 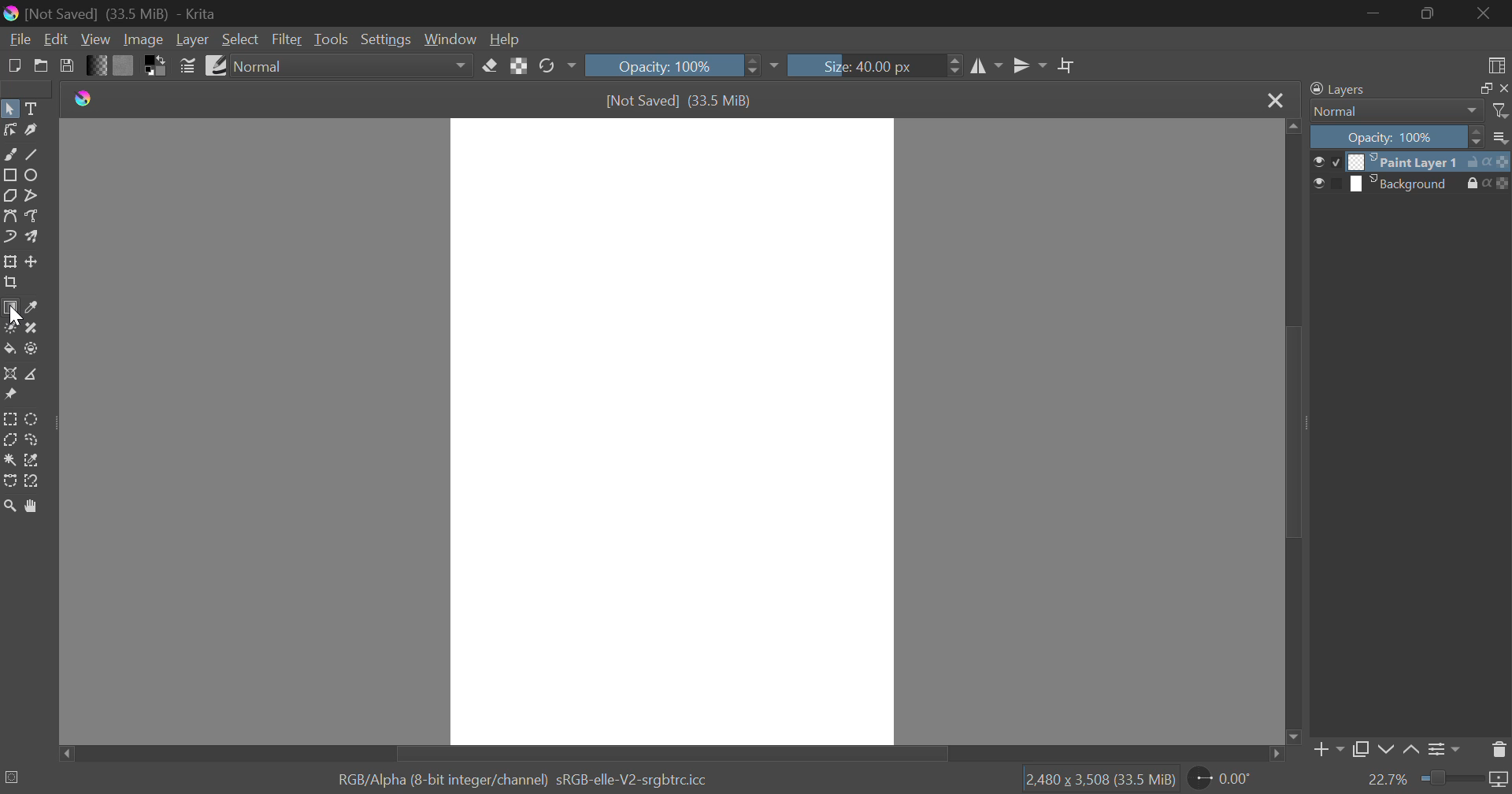 I want to click on Bezier Curve Selection, so click(x=9, y=479).